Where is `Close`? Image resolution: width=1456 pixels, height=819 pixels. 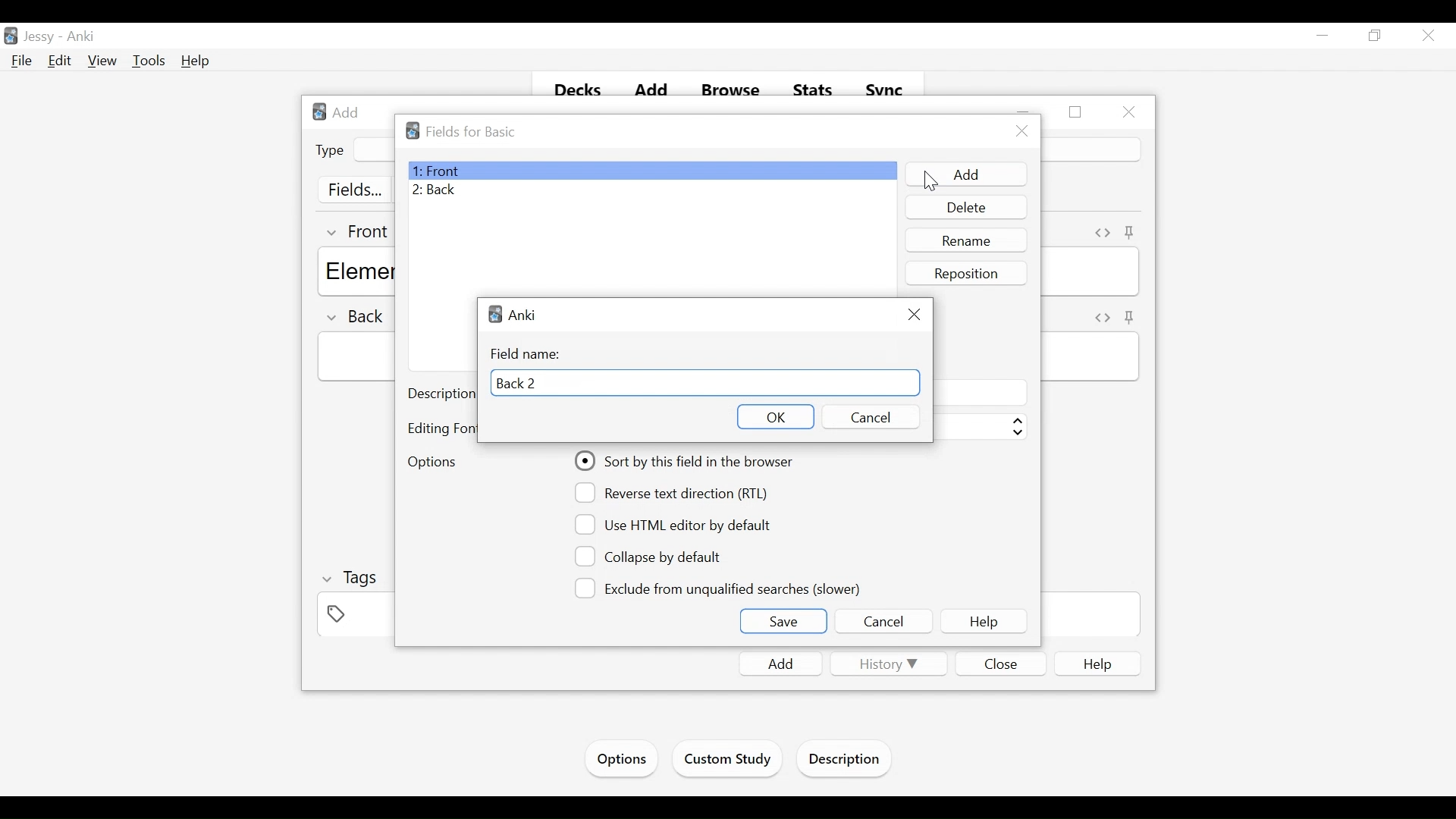
Close is located at coordinates (1426, 37).